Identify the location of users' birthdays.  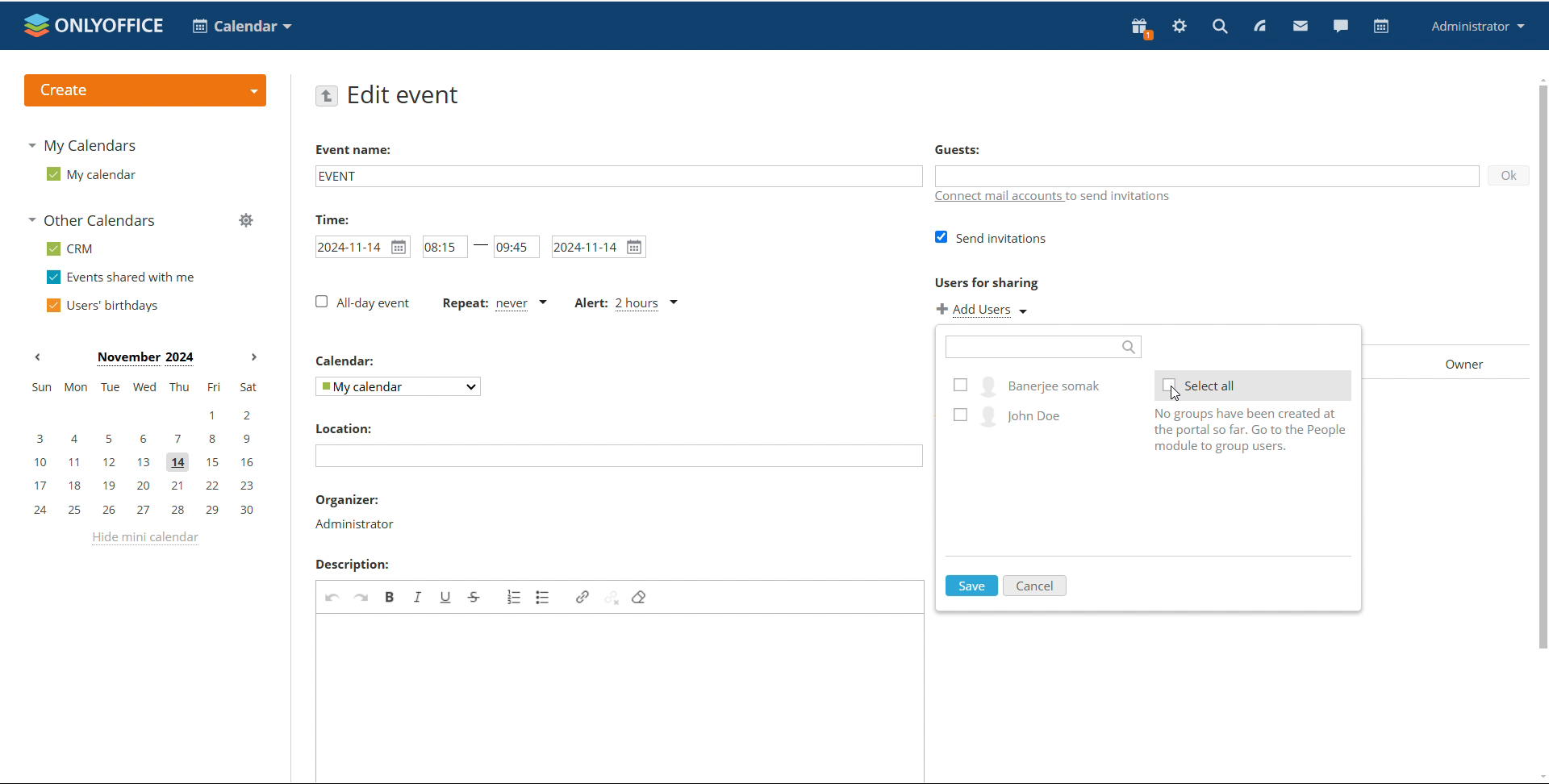
(103, 306).